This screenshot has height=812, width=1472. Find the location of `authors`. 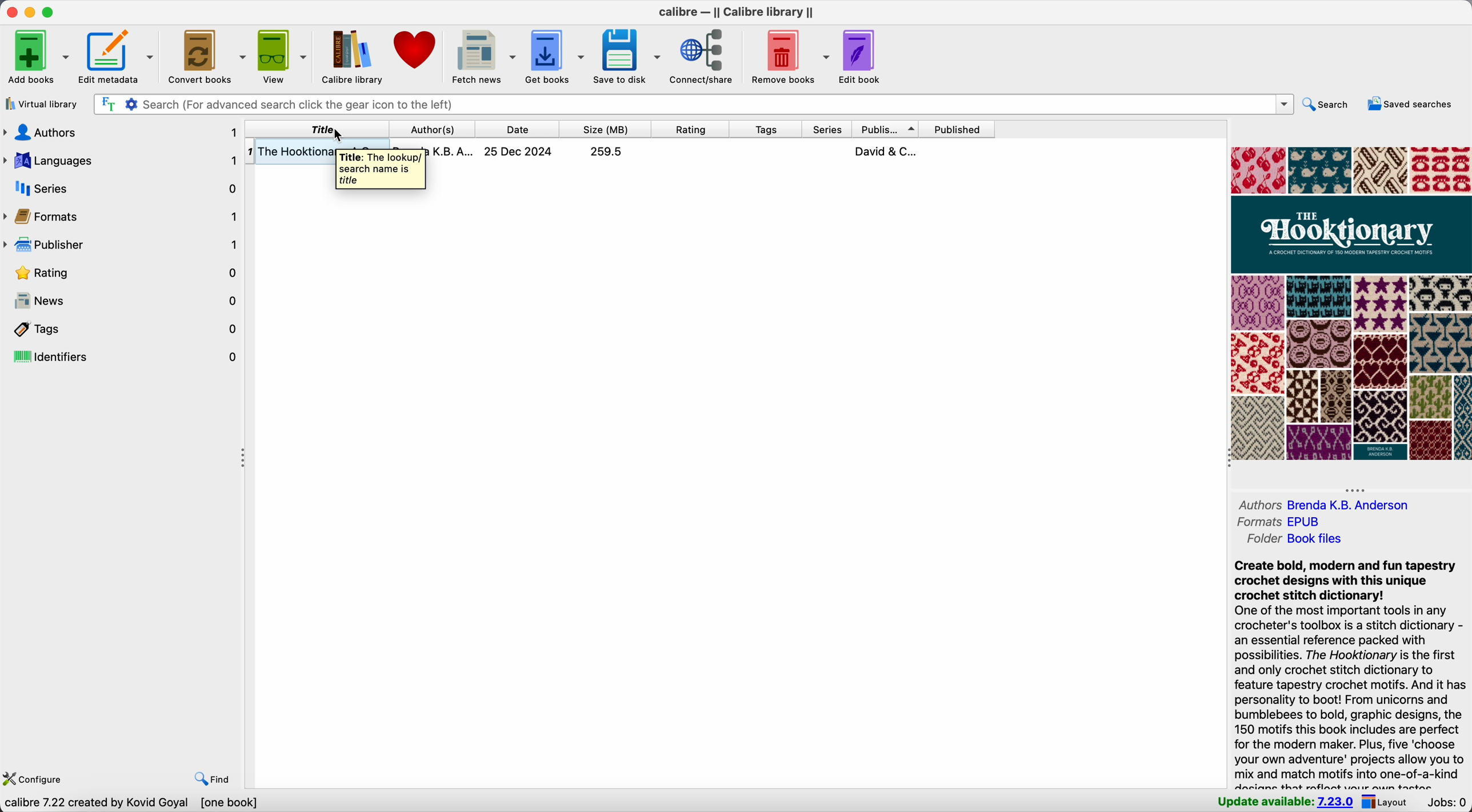

authors is located at coordinates (121, 132).